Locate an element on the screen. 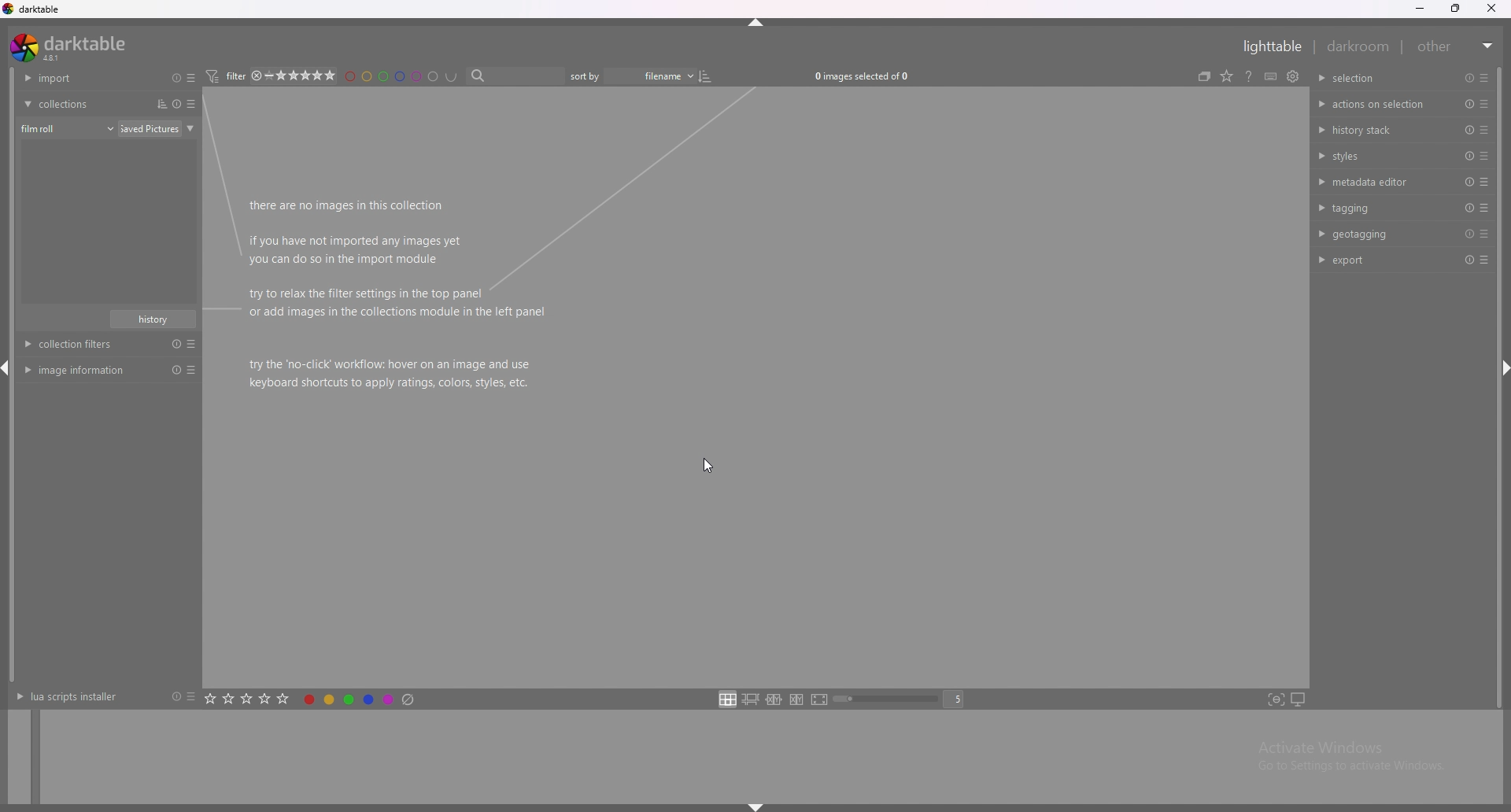 The image size is (1511, 812). presets is located at coordinates (1482, 78).